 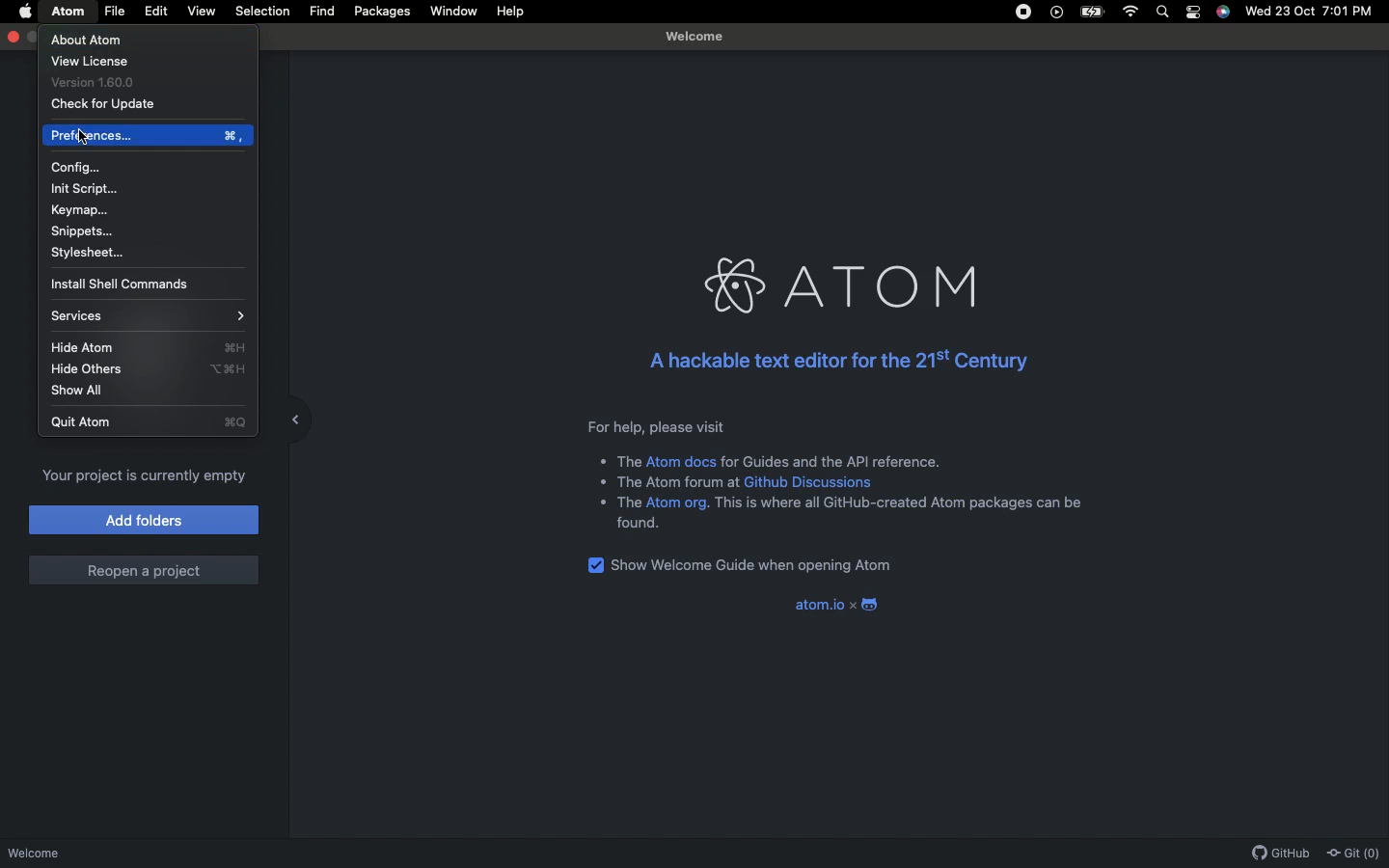 What do you see at coordinates (1162, 12) in the screenshot?
I see `Search` at bounding box center [1162, 12].